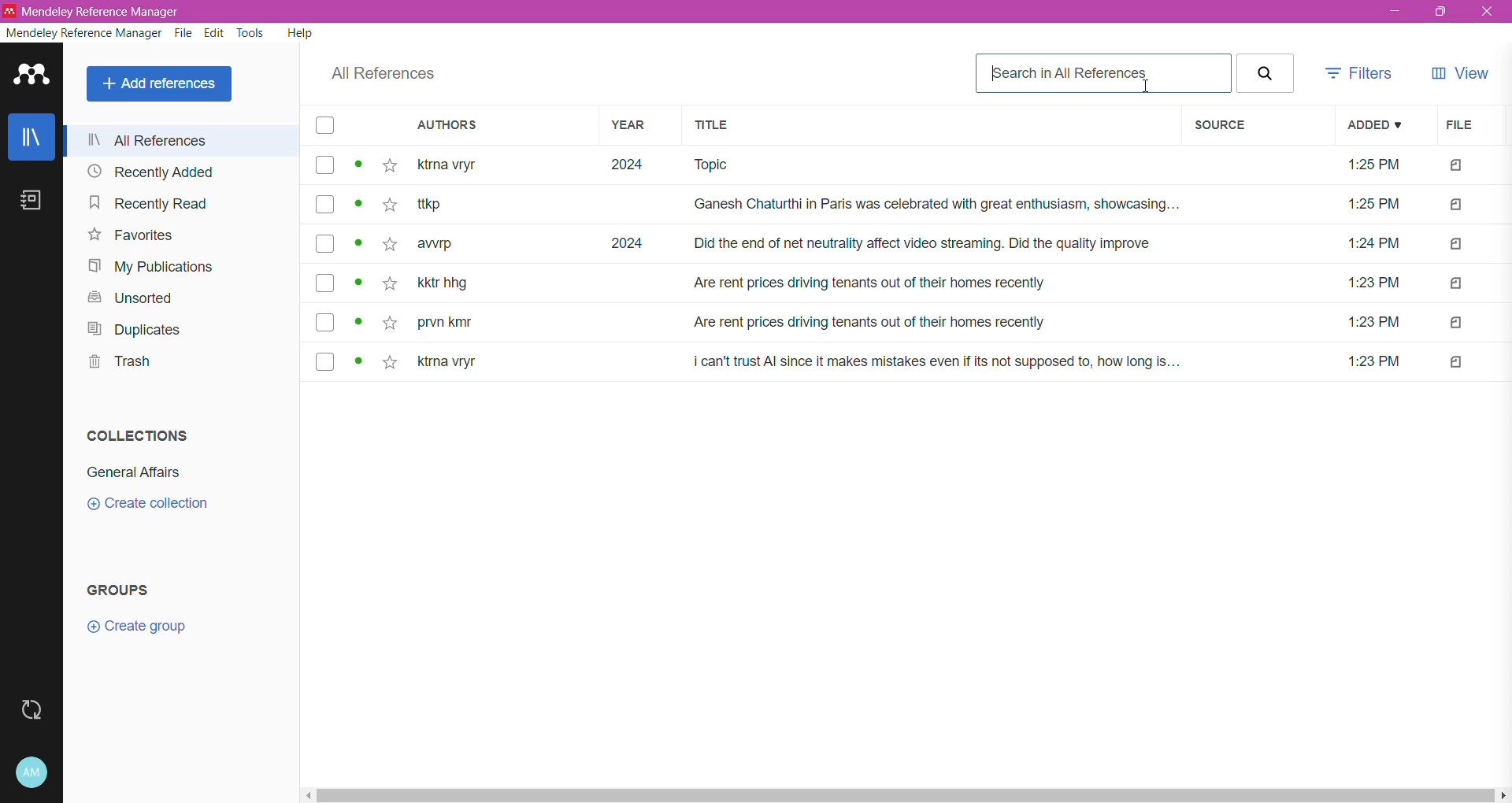 This screenshot has width=1512, height=803. Describe the element at coordinates (324, 242) in the screenshot. I see `select file` at that location.